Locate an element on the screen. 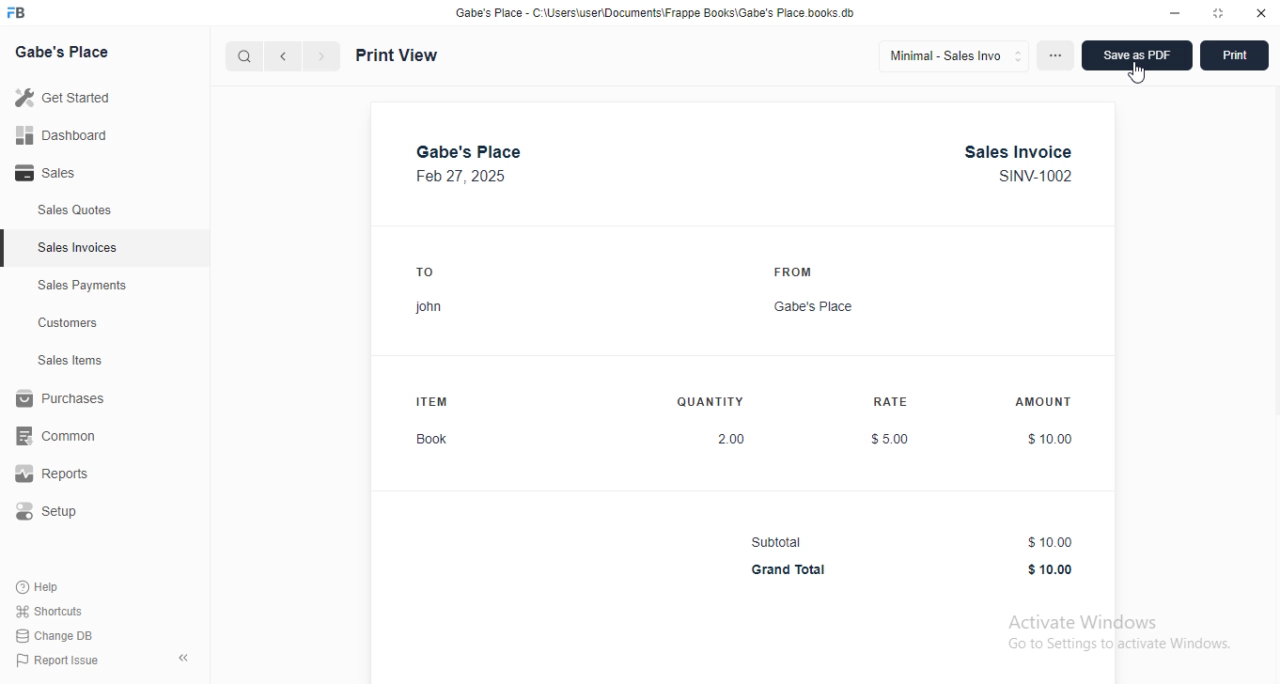 The width and height of the screenshot is (1280, 684). FB-logo is located at coordinates (15, 12).